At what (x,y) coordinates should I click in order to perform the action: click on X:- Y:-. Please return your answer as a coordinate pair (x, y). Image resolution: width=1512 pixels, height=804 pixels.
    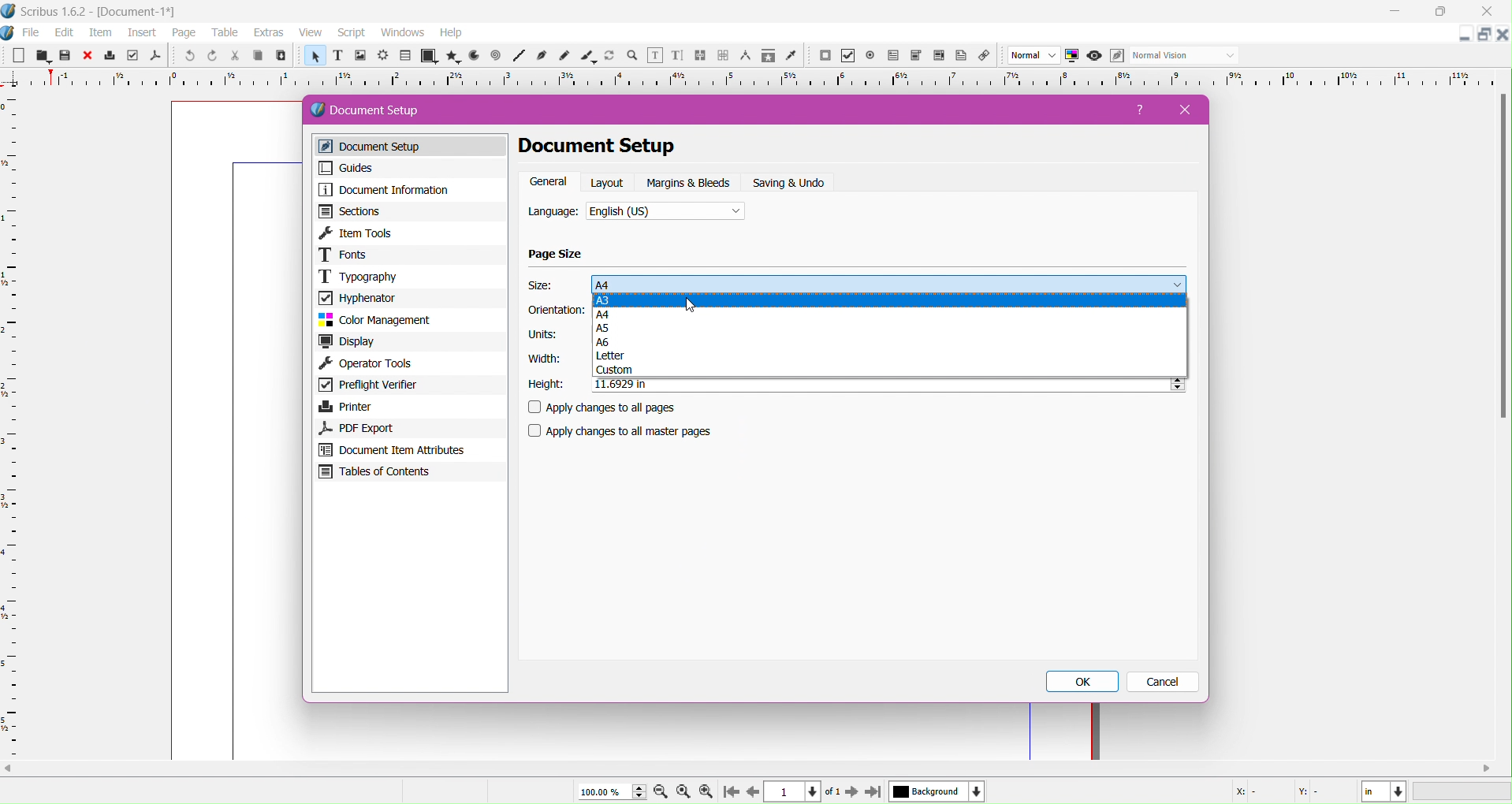
    Looking at the image, I should click on (1281, 791).